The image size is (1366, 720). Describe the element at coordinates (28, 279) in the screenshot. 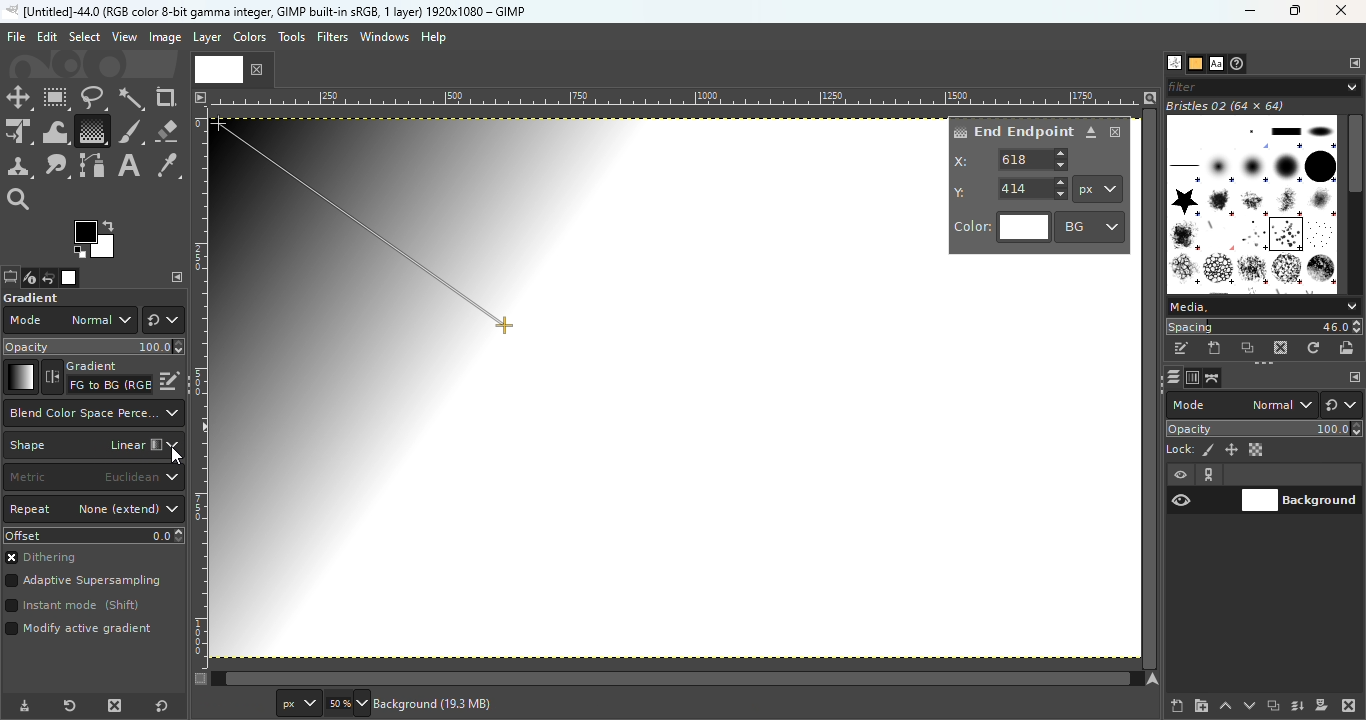

I see `Open the device status dialog` at that location.